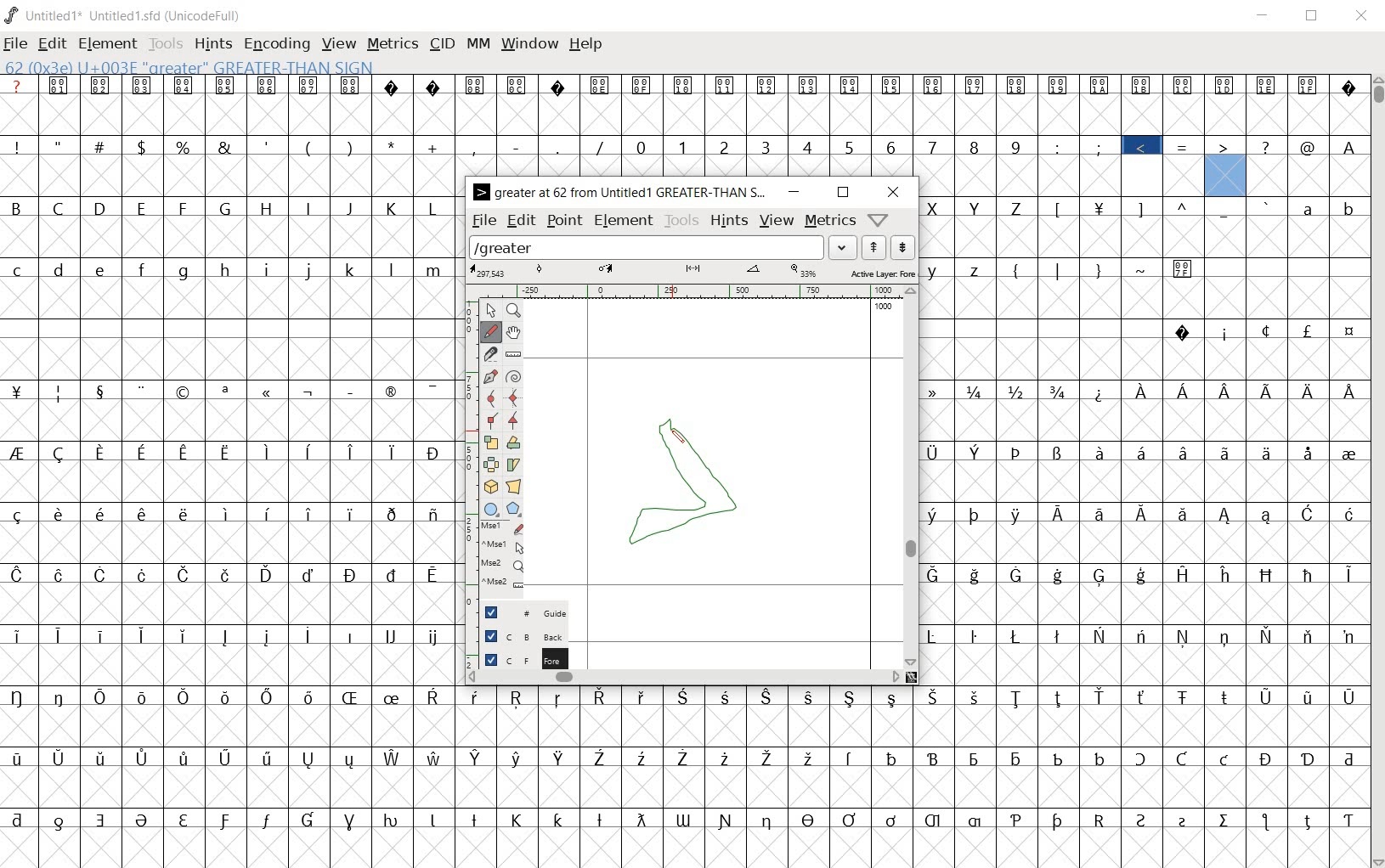 This screenshot has width=1385, height=868. Describe the element at coordinates (682, 222) in the screenshot. I see `tools` at that location.